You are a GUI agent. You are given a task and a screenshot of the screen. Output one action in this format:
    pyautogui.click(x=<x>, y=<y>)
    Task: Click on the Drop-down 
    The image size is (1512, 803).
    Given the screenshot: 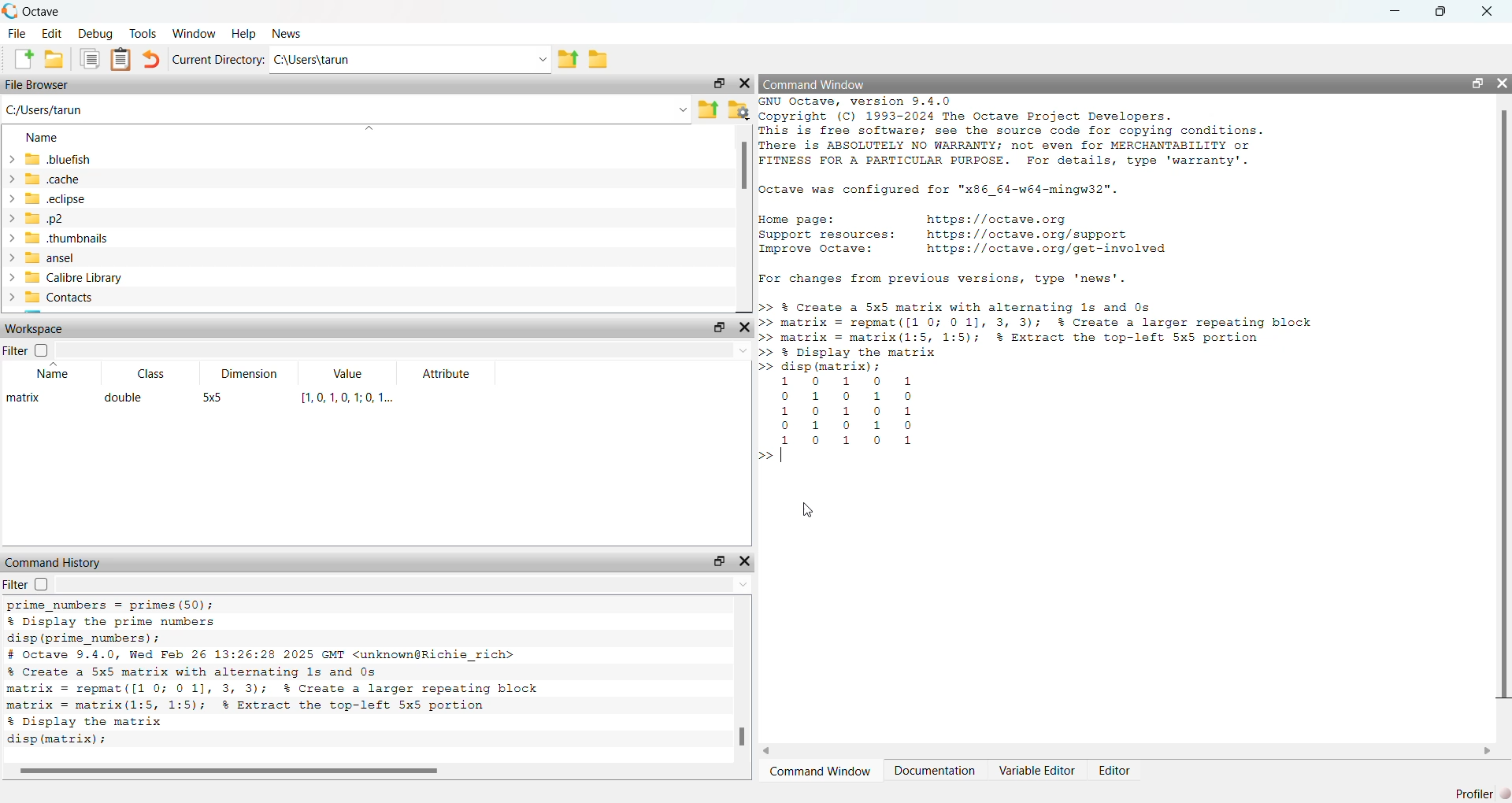 What is the action you would take?
    pyautogui.click(x=683, y=109)
    